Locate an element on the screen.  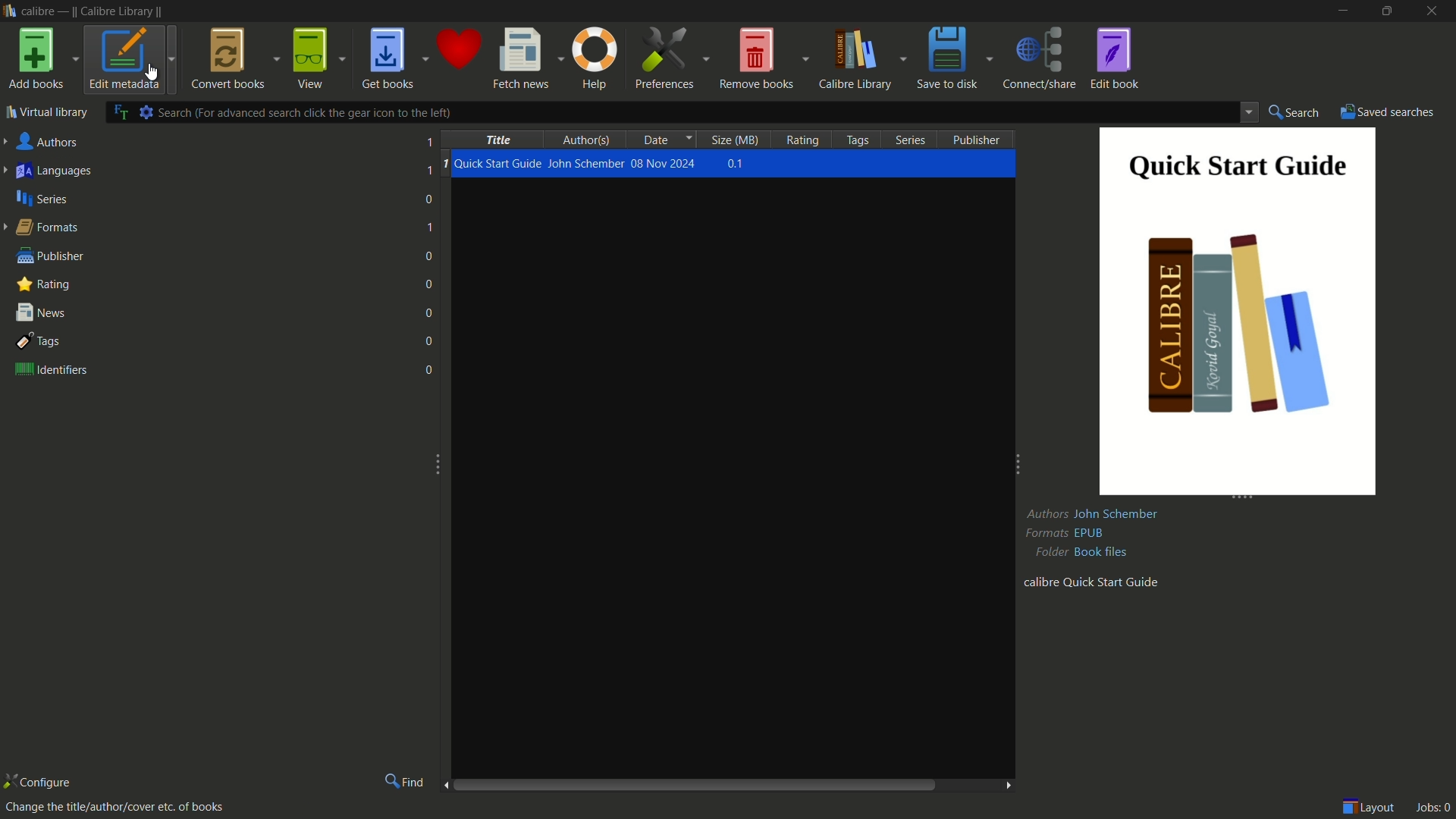
title is located at coordinates (493, 140).